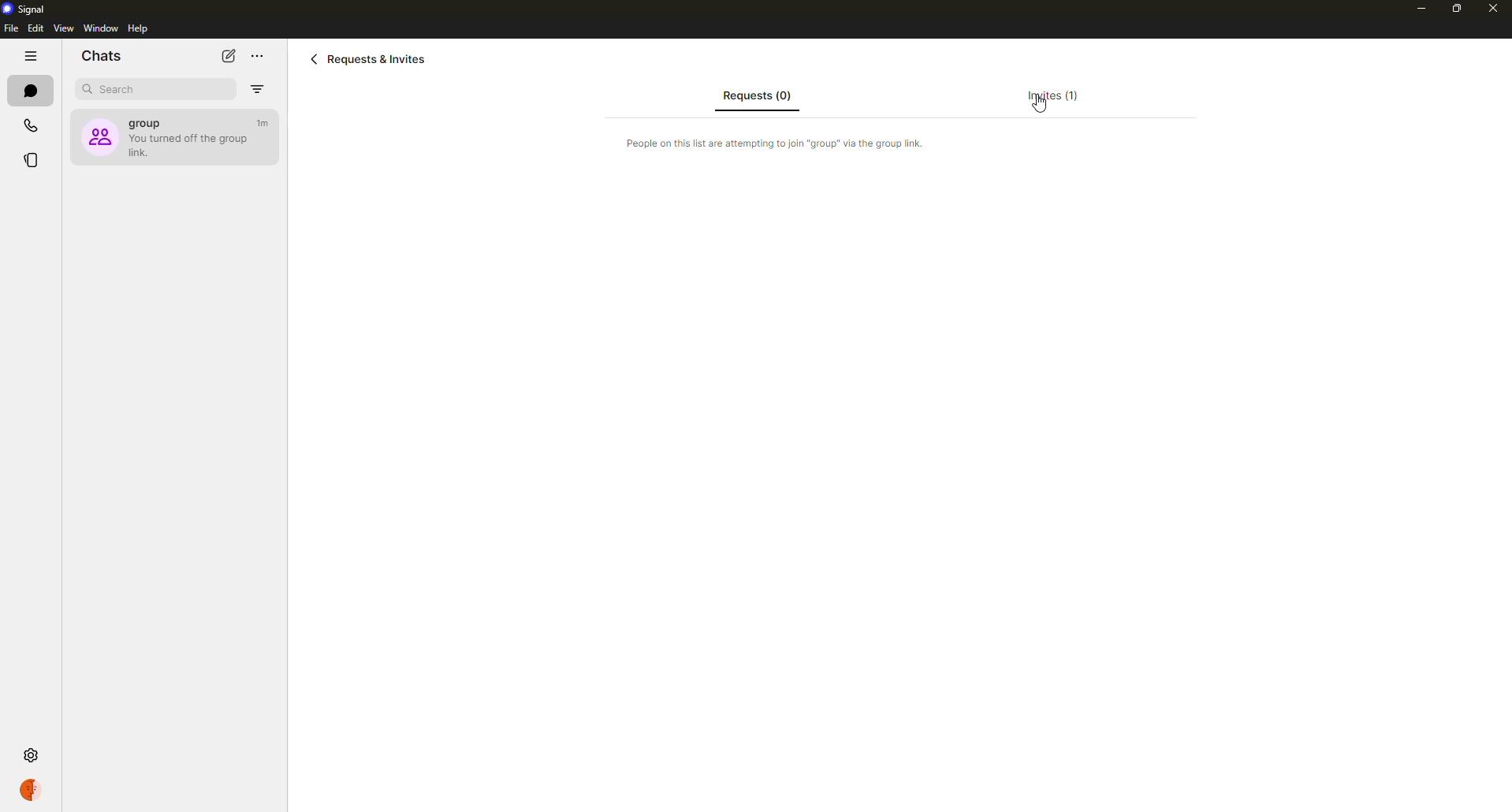 The image size is (1512, 812). What do you see at coordinates (258, 89) in the screenshot?
I see `filter` at bounding box center [258, 89].